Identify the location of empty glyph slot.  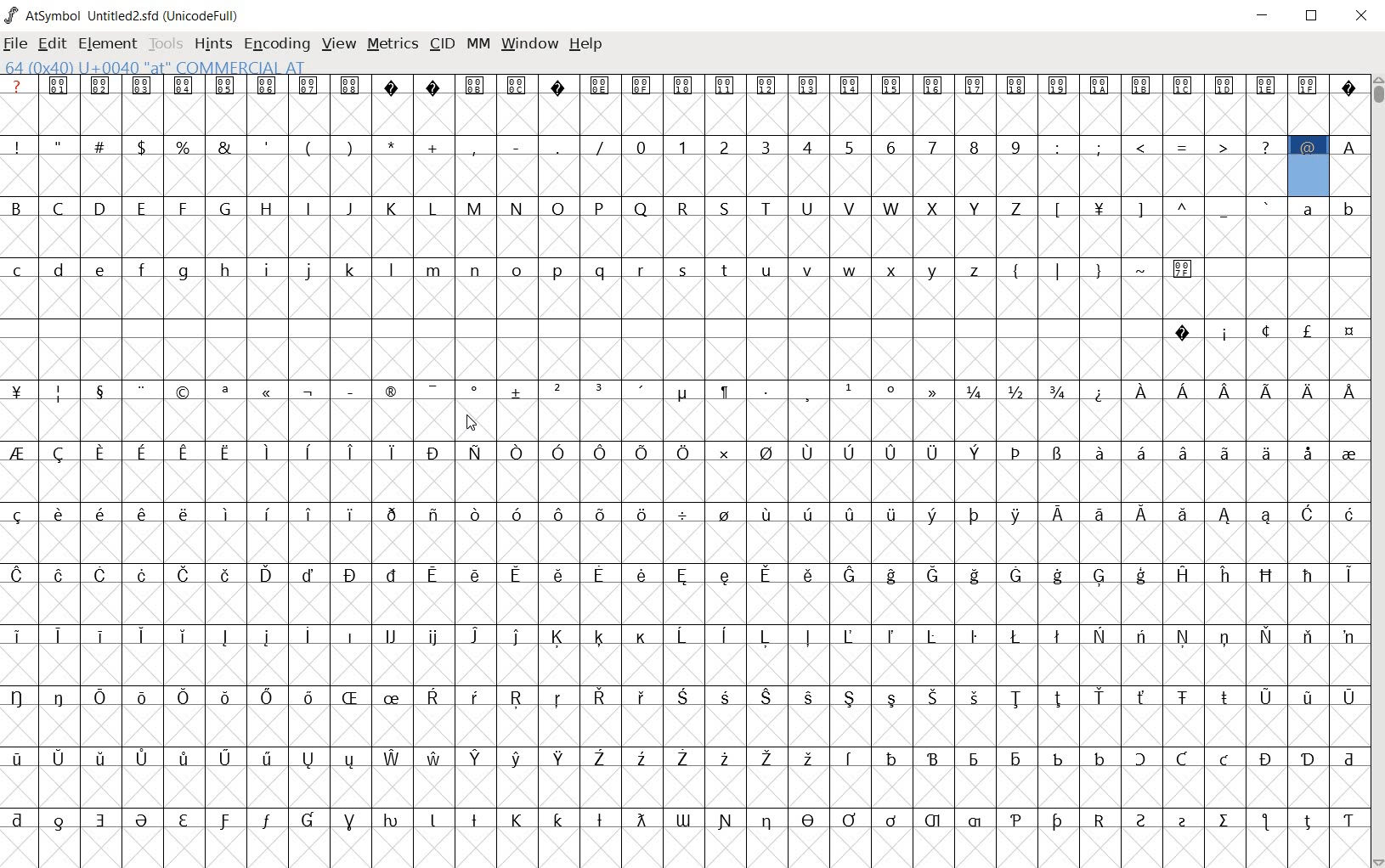
(681, 847).